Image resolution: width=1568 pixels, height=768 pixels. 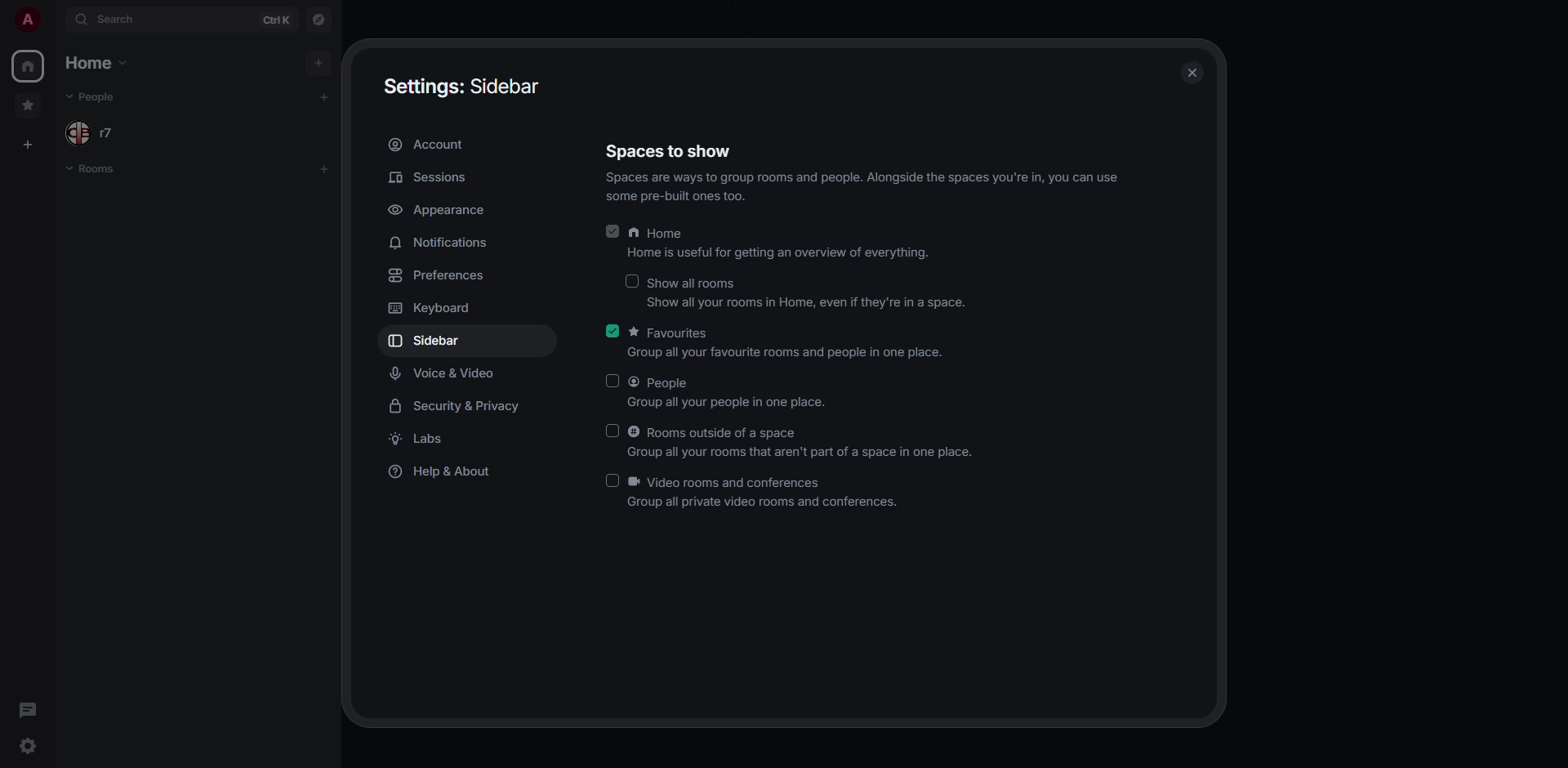 I want to click on  Favourites Group all your favourite rooms and people in one place., so click(x=791, y=345).